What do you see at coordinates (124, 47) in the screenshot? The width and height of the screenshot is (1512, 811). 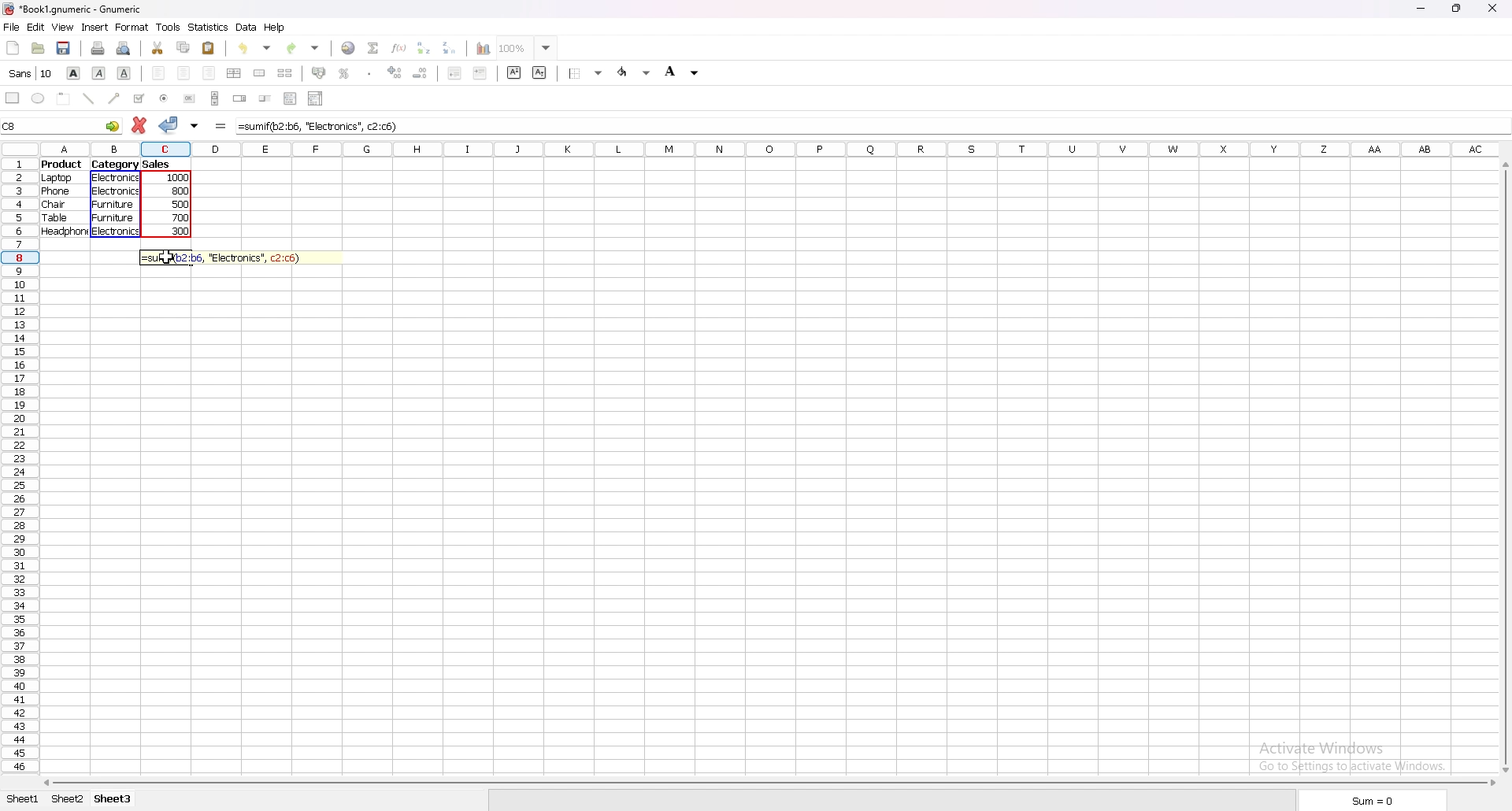 I see `print preview` at bounding box center [124, 47].